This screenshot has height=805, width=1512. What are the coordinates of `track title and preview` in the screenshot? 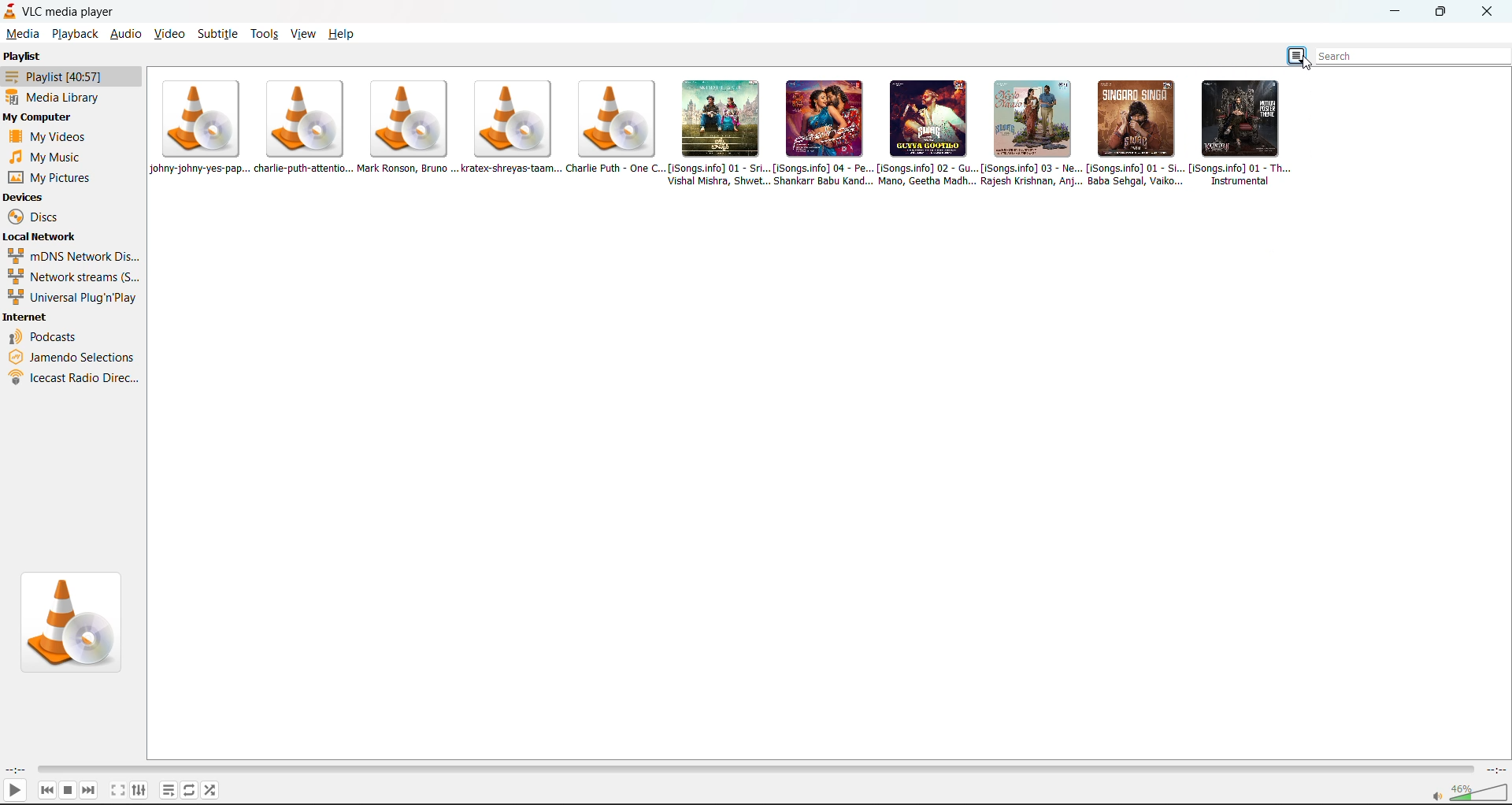 It's located at (821, 132).